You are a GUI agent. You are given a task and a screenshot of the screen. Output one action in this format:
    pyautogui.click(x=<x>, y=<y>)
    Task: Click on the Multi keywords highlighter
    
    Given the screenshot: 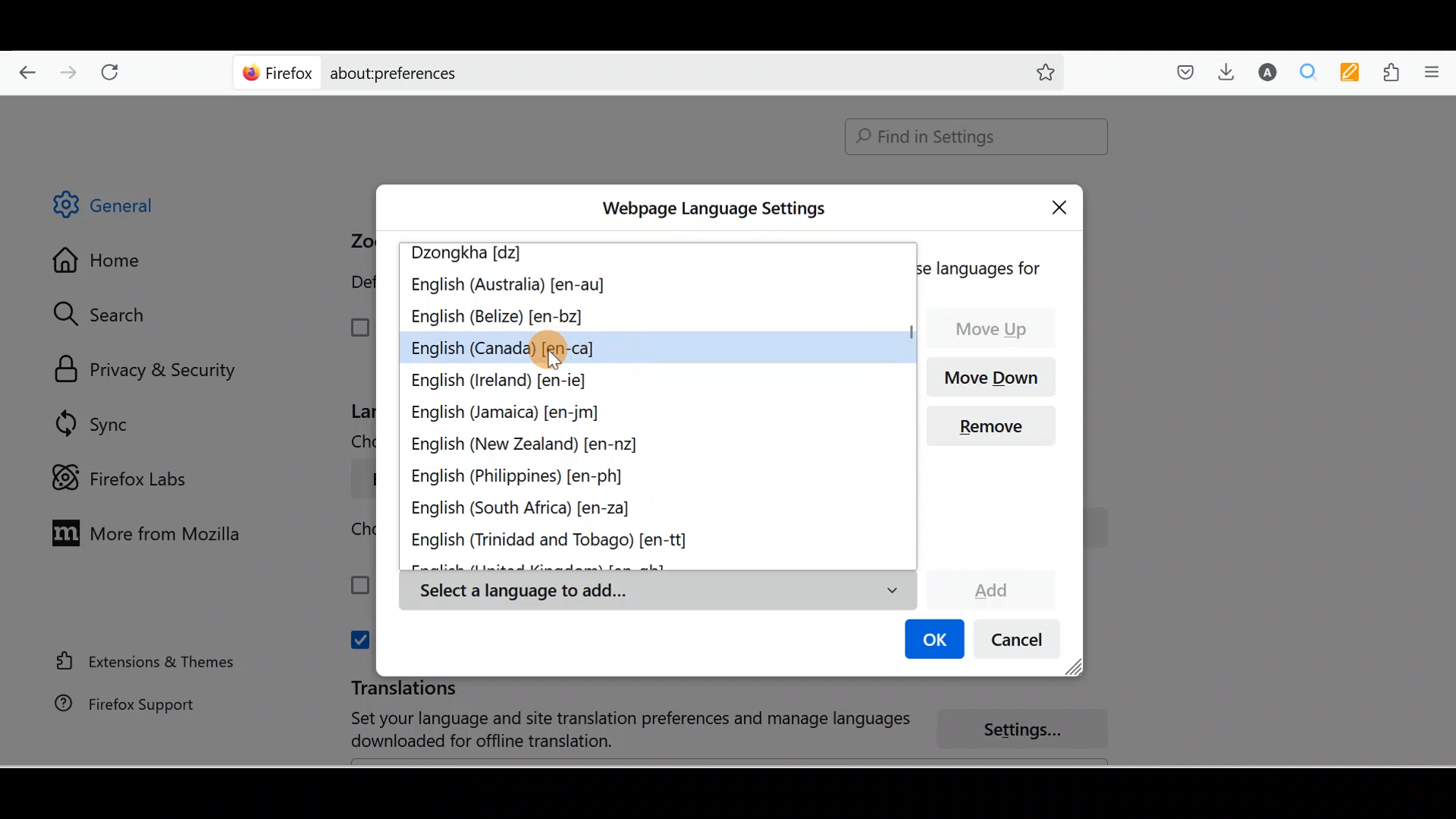 What is the action you would take?
    pyautogui.click(x=1354, y=74)
    